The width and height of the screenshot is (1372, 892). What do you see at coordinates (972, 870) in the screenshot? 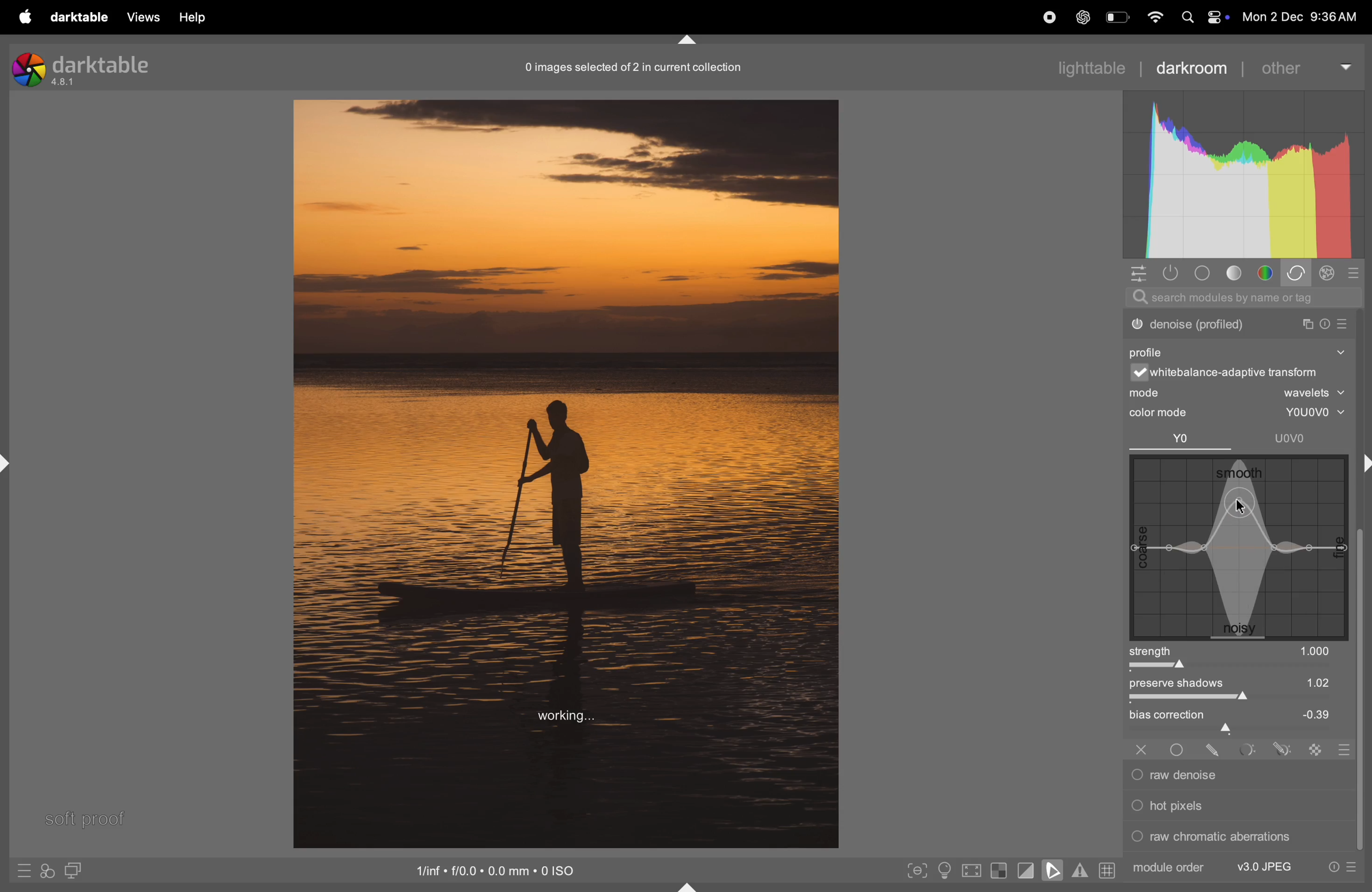
I see `toggle high quality processing` at bounding box center [972, 870].